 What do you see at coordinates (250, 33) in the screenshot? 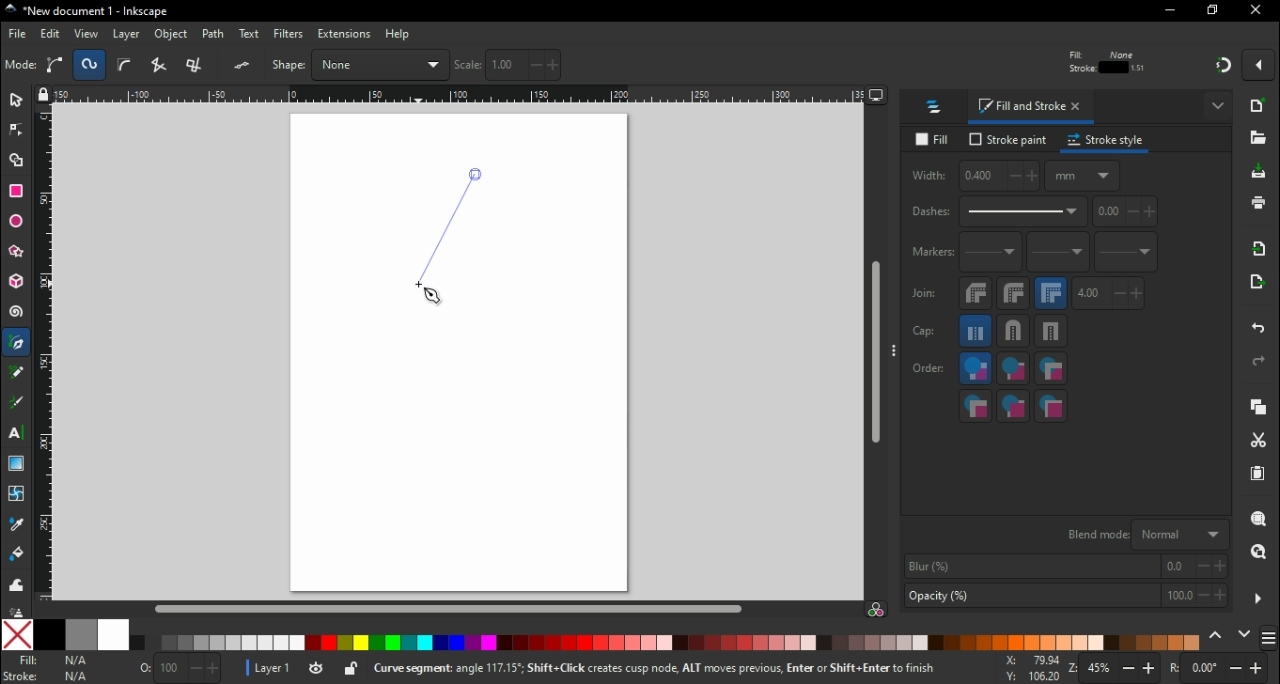
I see `text` at bounding box center [250, 33].